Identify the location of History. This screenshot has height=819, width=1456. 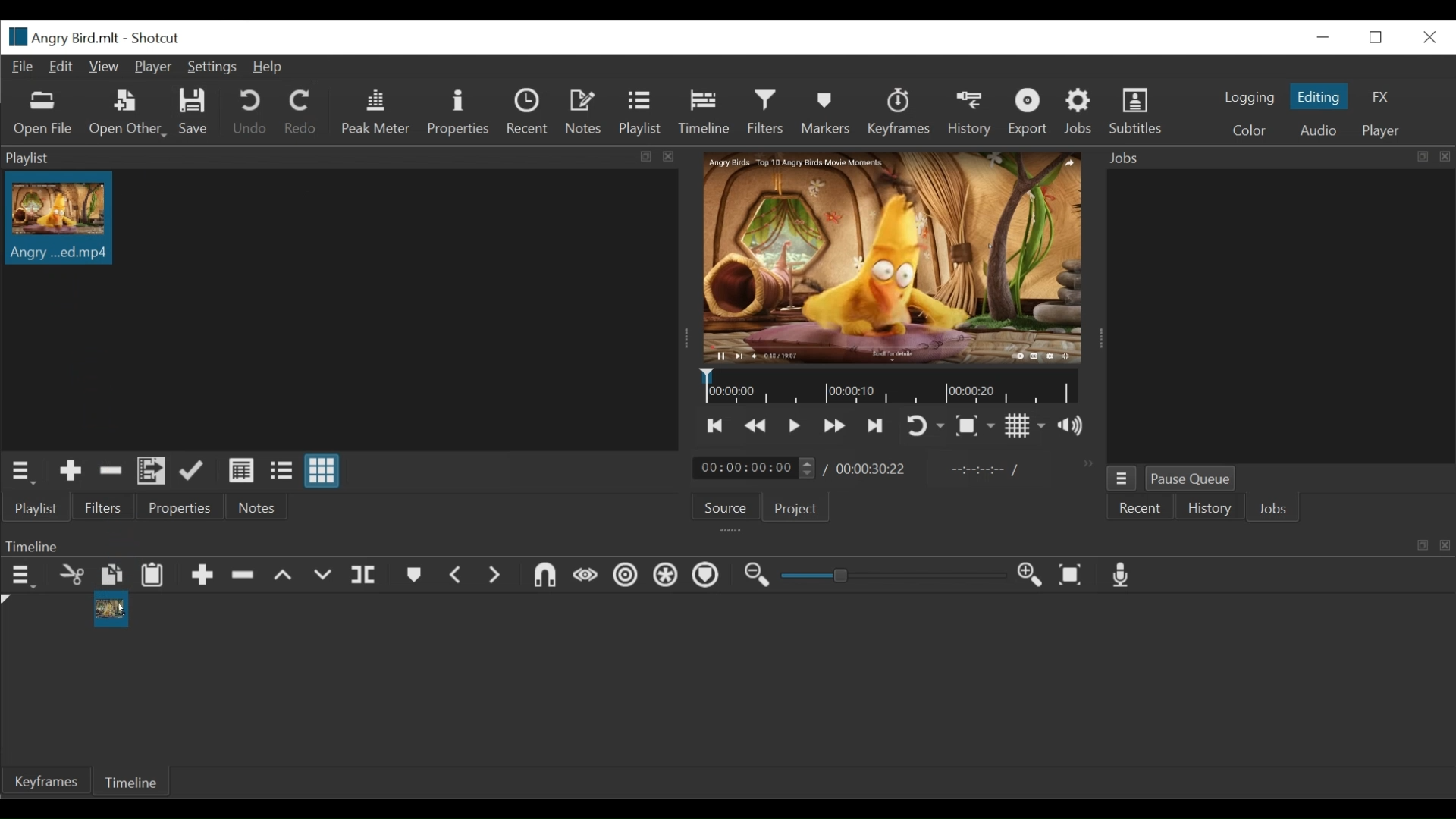
(968, 113).